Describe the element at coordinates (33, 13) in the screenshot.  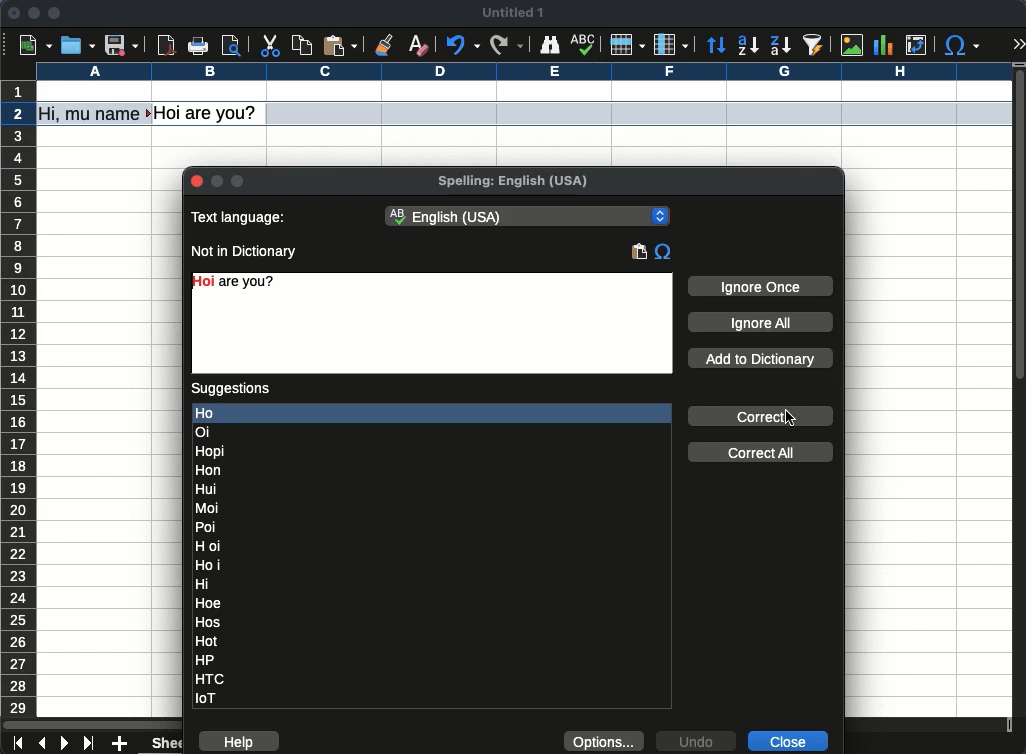
I see `minimize` at that location.